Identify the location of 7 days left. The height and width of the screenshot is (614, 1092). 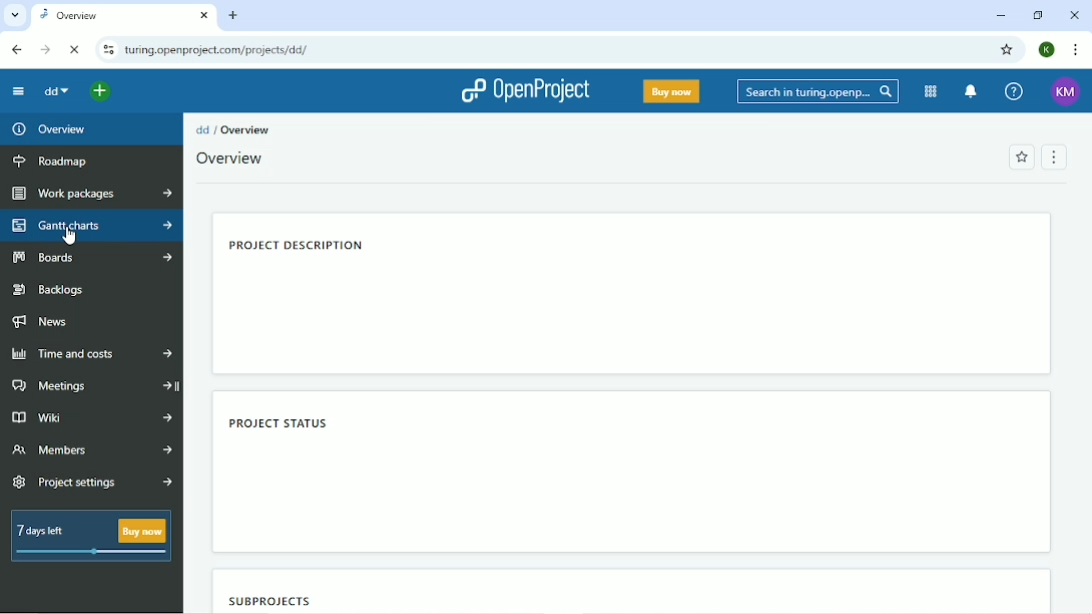
(90, 537).